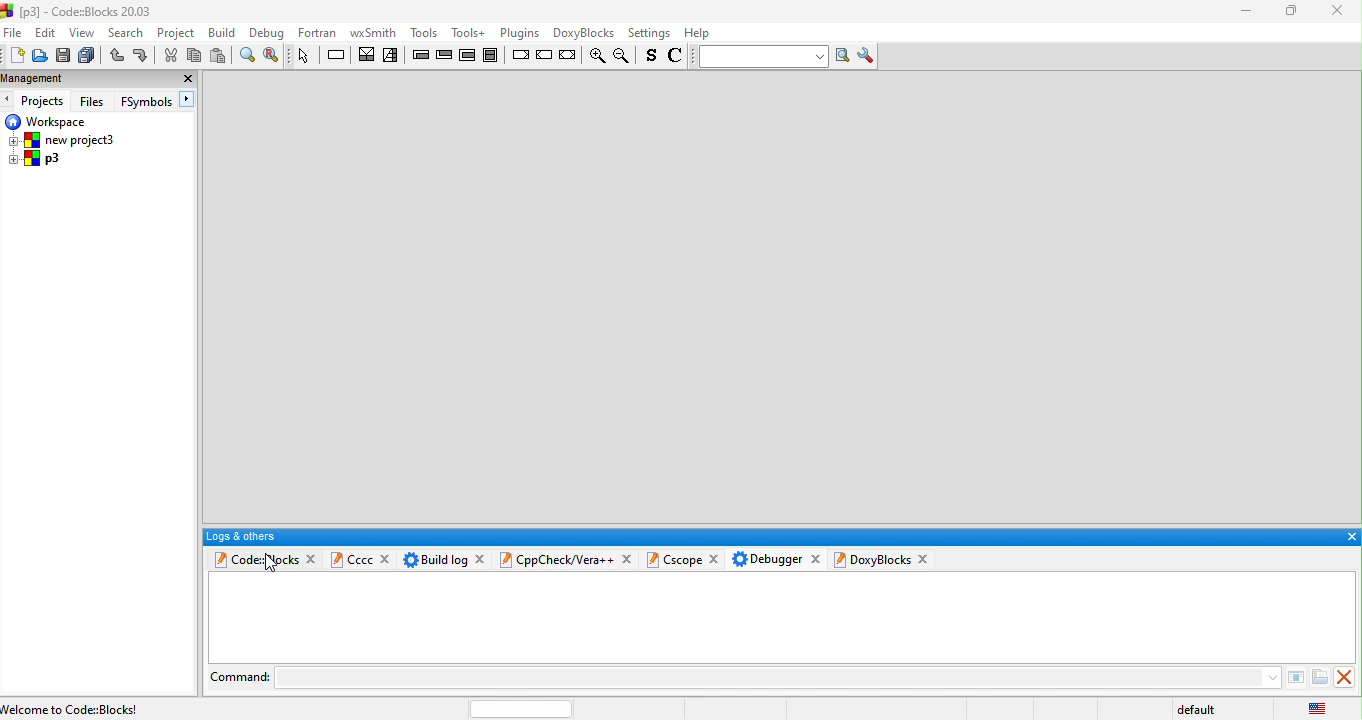 This screenshot has height=720, width=1362. What do you see at coordinates (1269, 676) in the screenshot?
I see `dropdown` at bounding box center [1269, 676].